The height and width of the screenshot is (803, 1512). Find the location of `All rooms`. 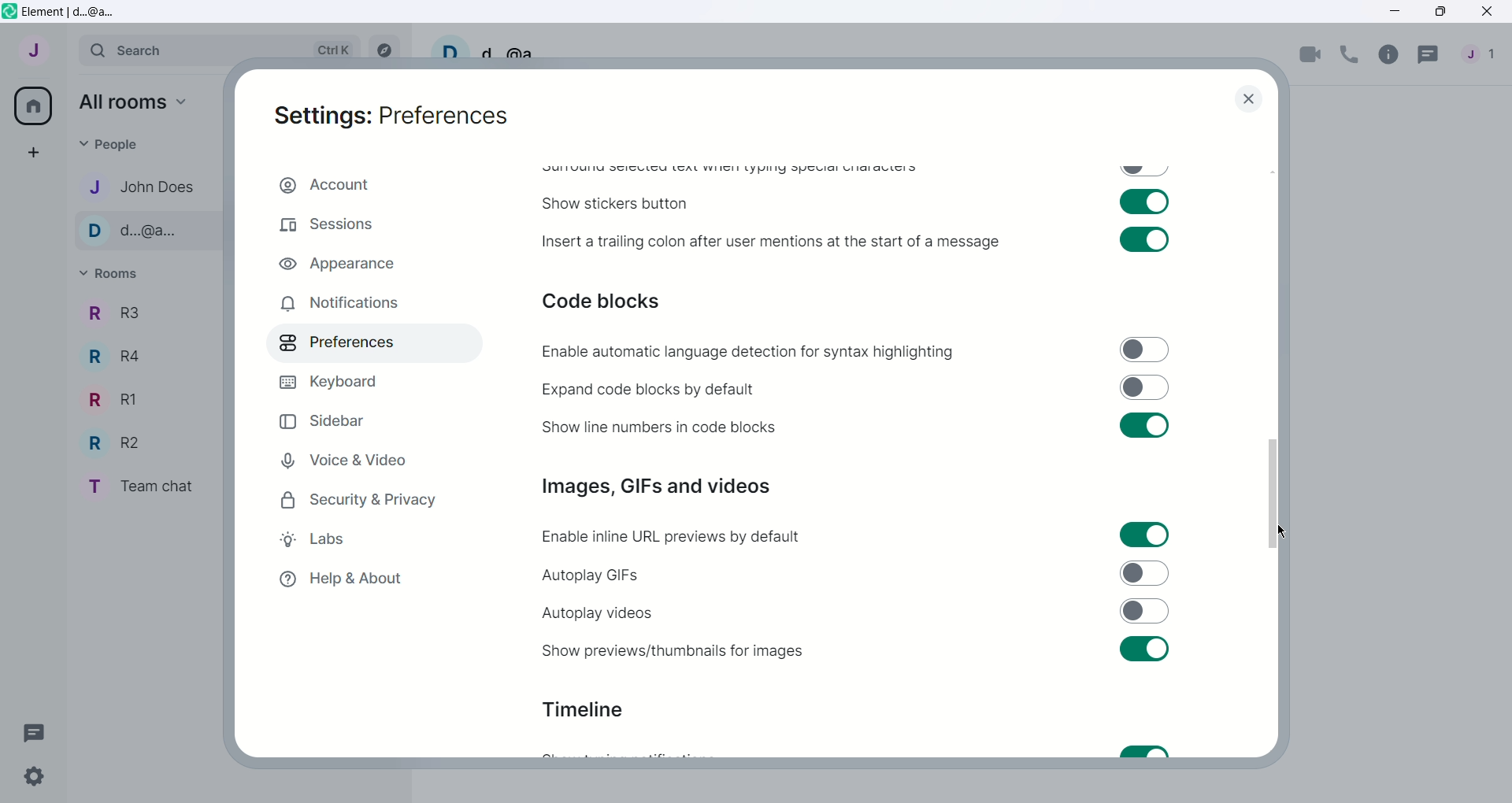

All rooms is located at coordinates (135, 102).